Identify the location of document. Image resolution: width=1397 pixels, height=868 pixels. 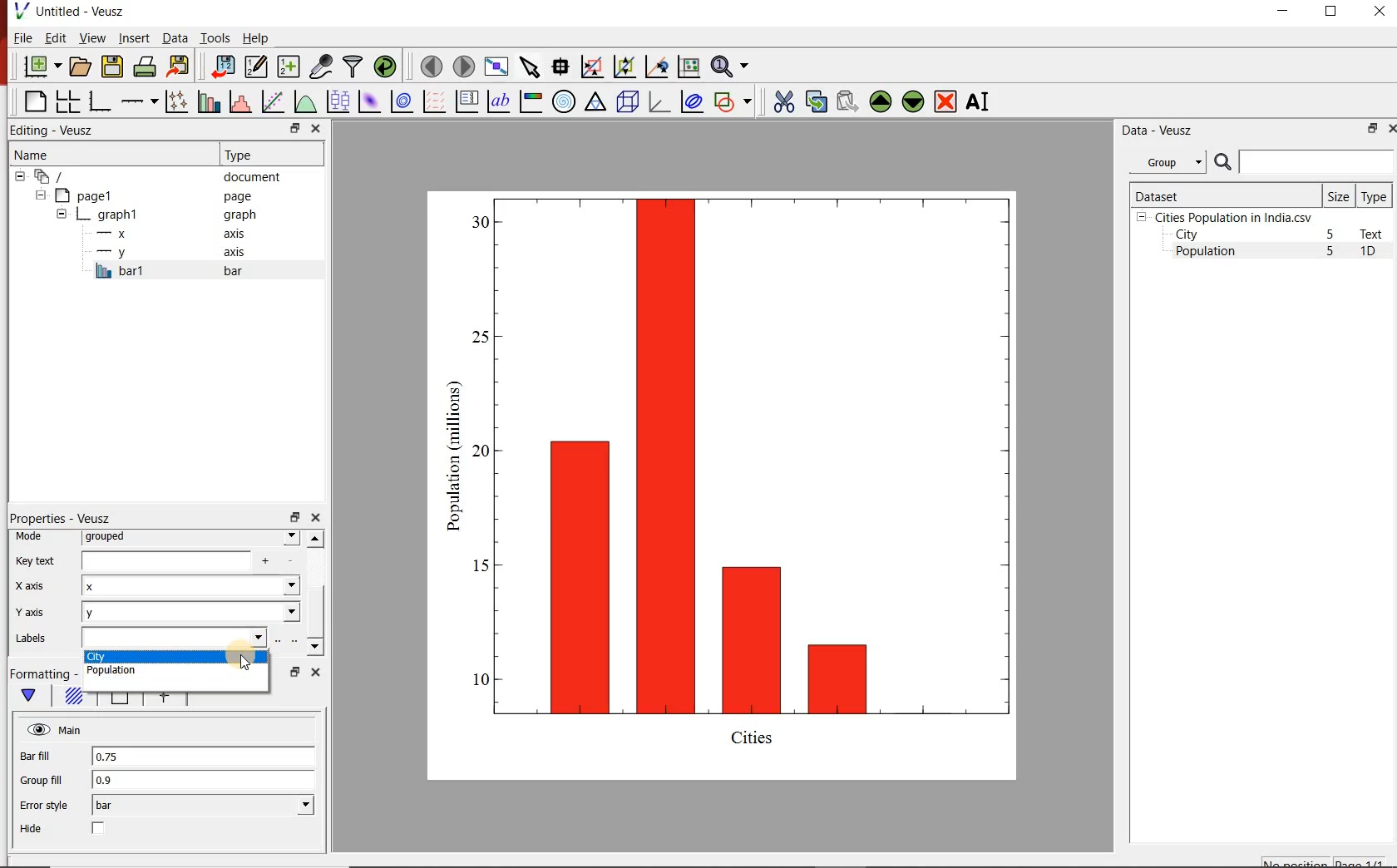
(153, 175).